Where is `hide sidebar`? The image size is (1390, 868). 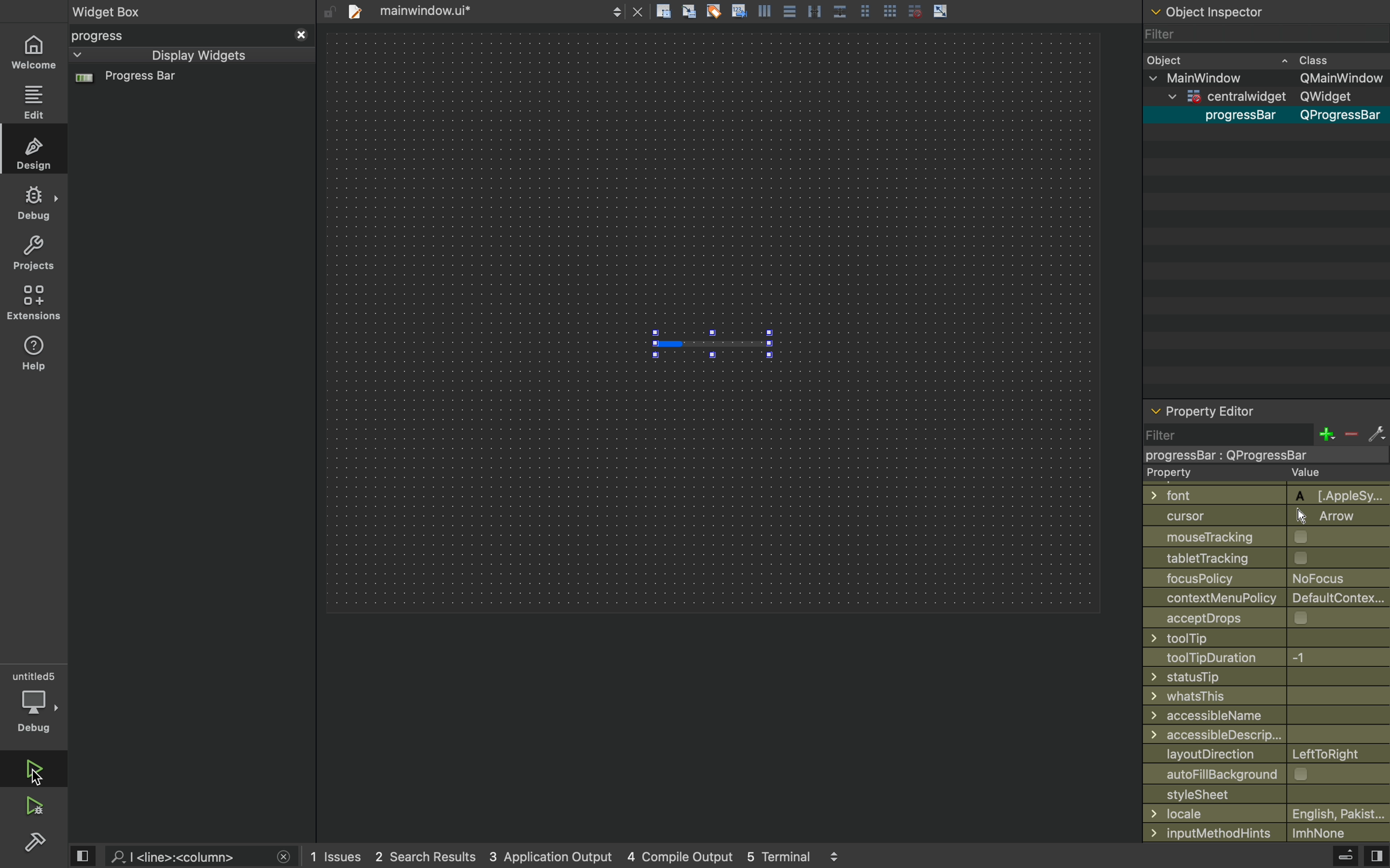 hide sidebar is located at coordinates (1334, 858).